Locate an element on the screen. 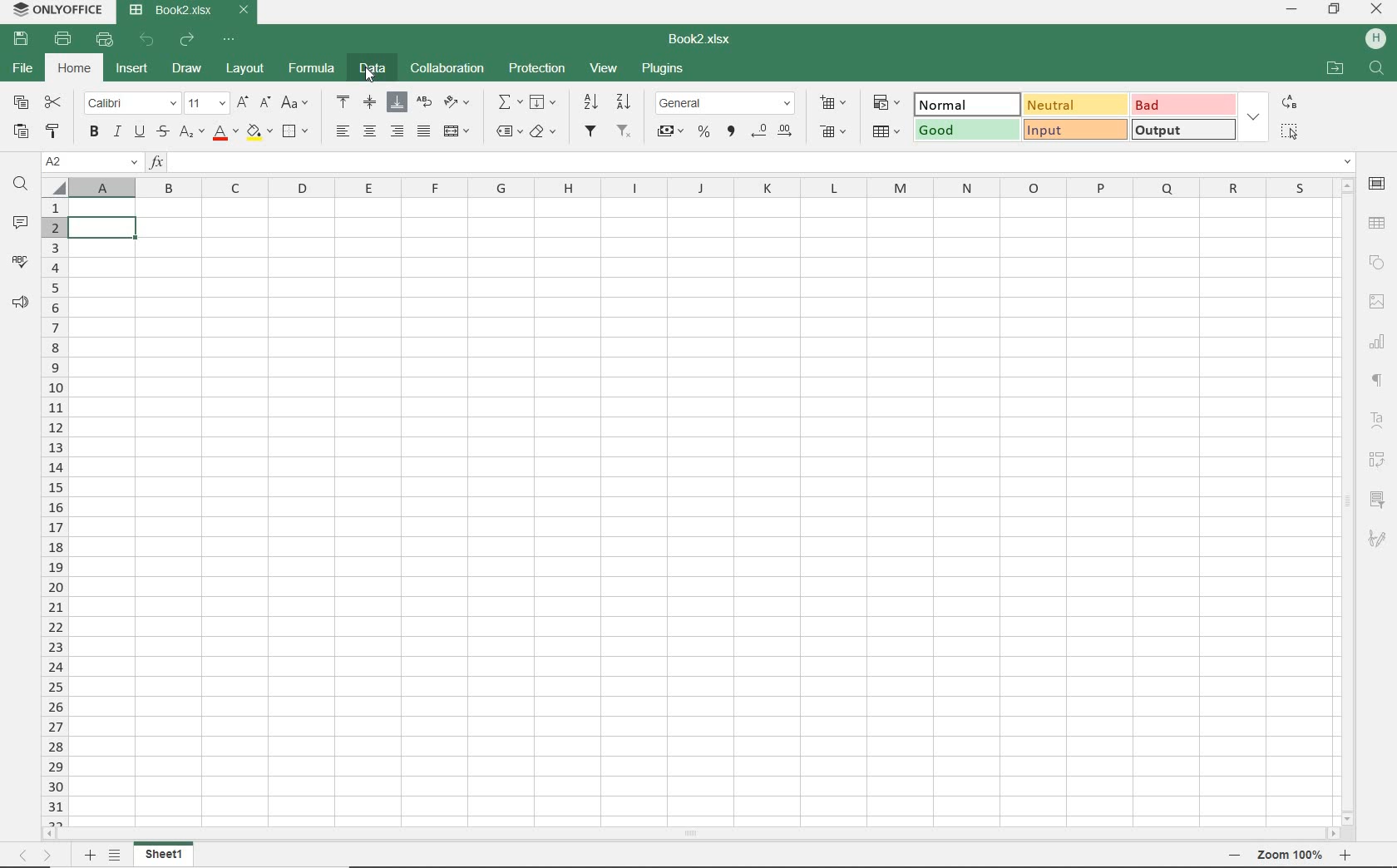  NAME MANAGER is located at coordinates (90, 163).